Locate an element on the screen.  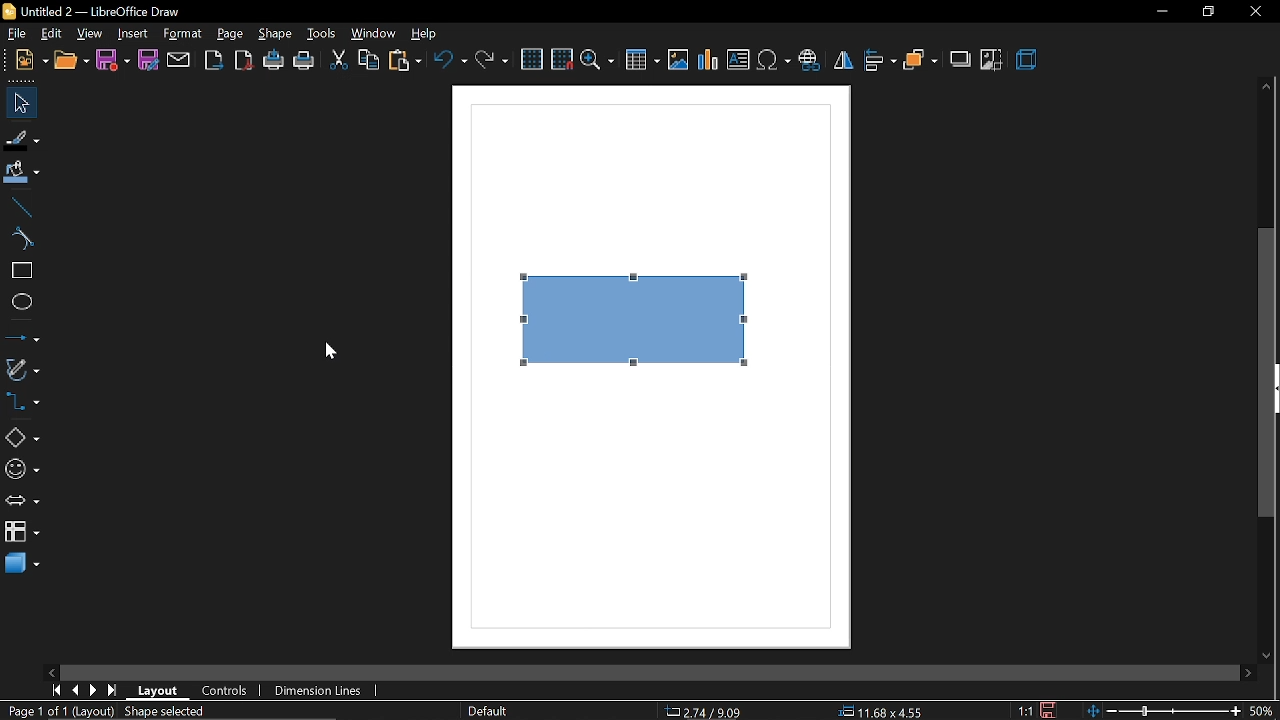
50% is located at coordinates (1264, 711).